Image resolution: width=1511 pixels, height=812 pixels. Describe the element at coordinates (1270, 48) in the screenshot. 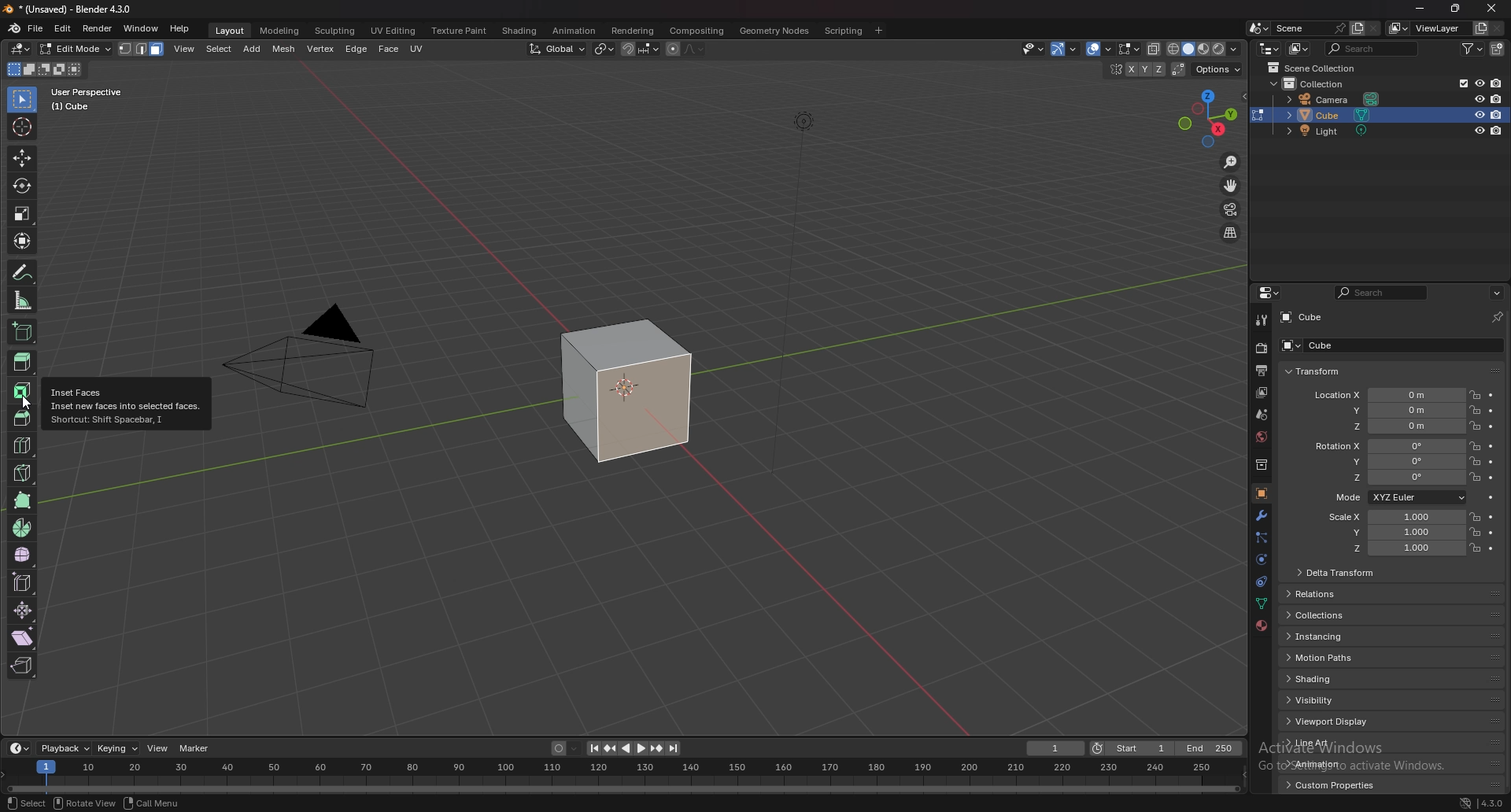

I see `editor type` at that location.